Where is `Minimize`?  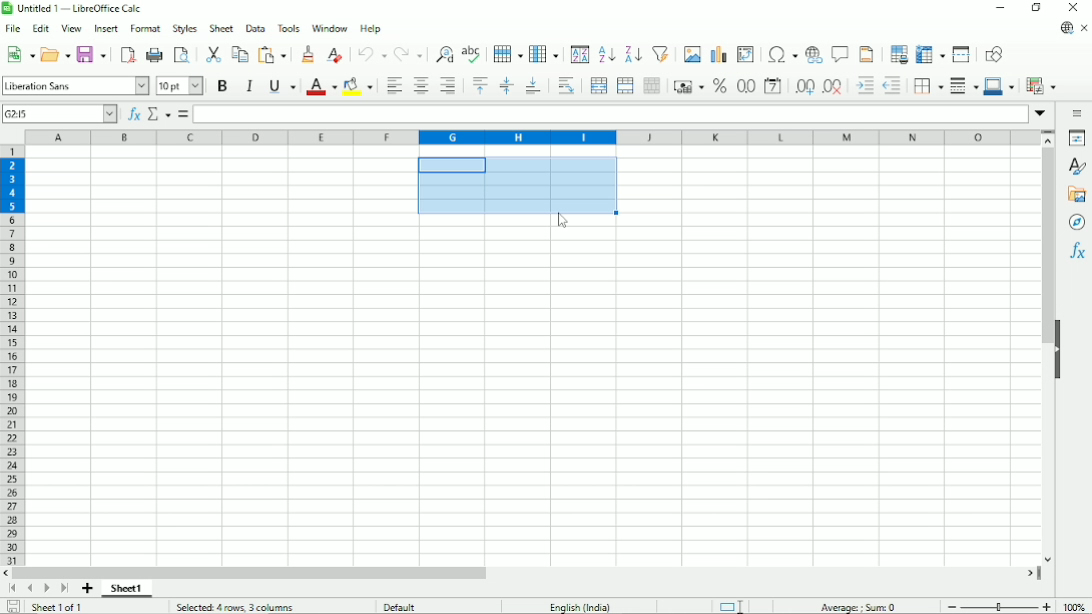
Minimize is located at coordinates (1001, 9).